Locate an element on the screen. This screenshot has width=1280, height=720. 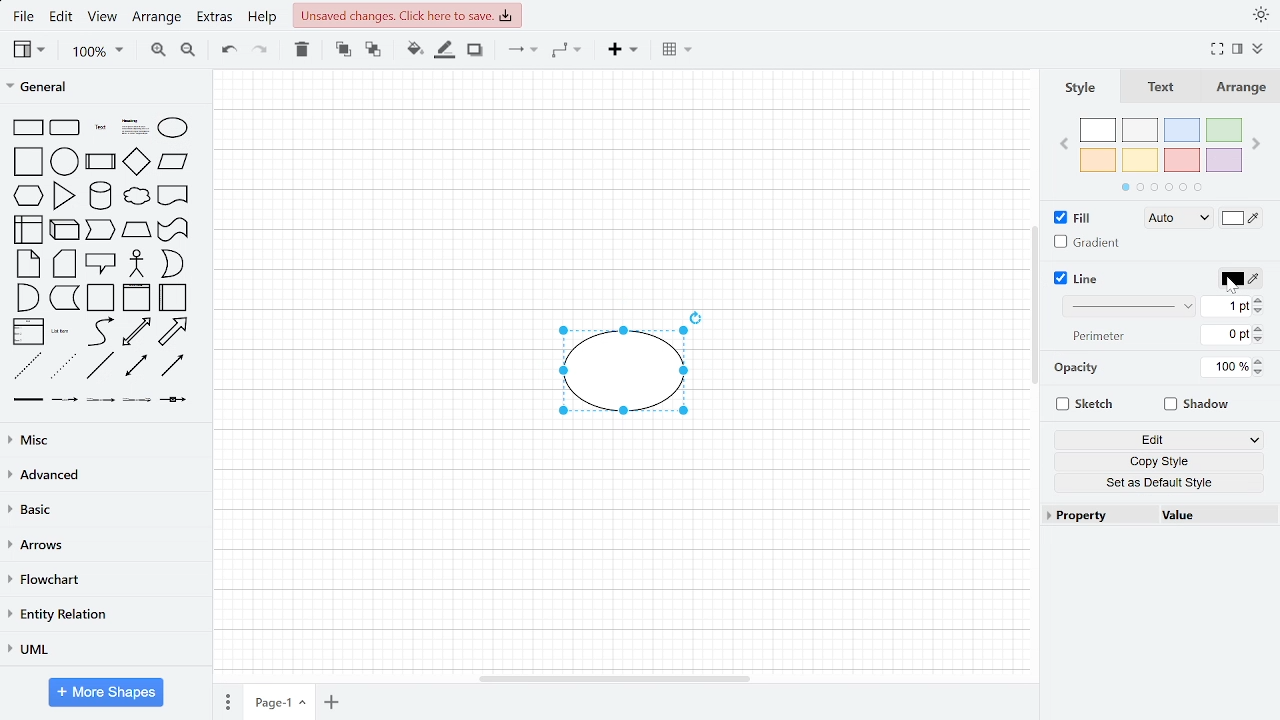
zoom is located at coordinates (90, 51).